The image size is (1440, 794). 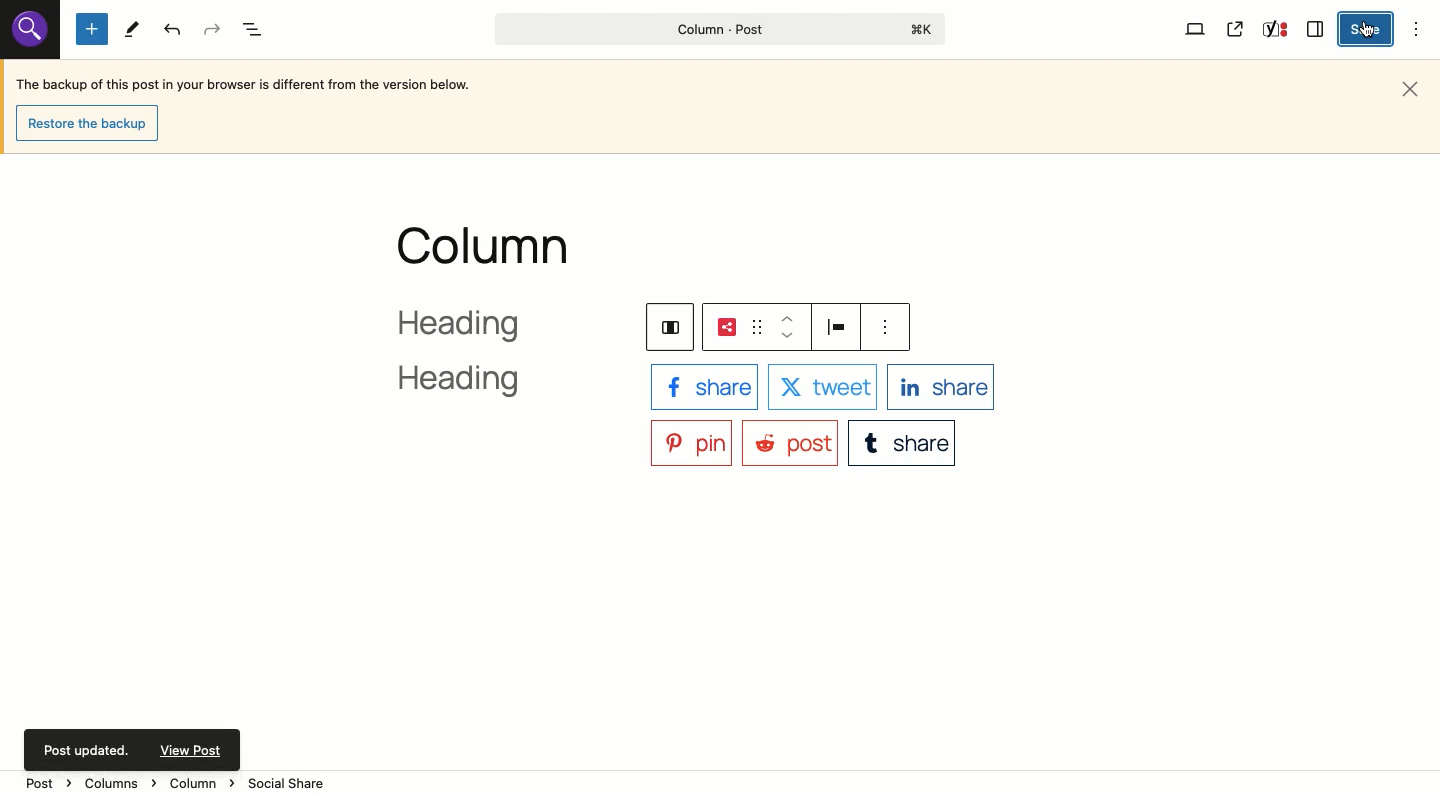 What do you see at coordinates (840, 326) in the screenshot?
I see `Justification` at bounding box center [840, 326].